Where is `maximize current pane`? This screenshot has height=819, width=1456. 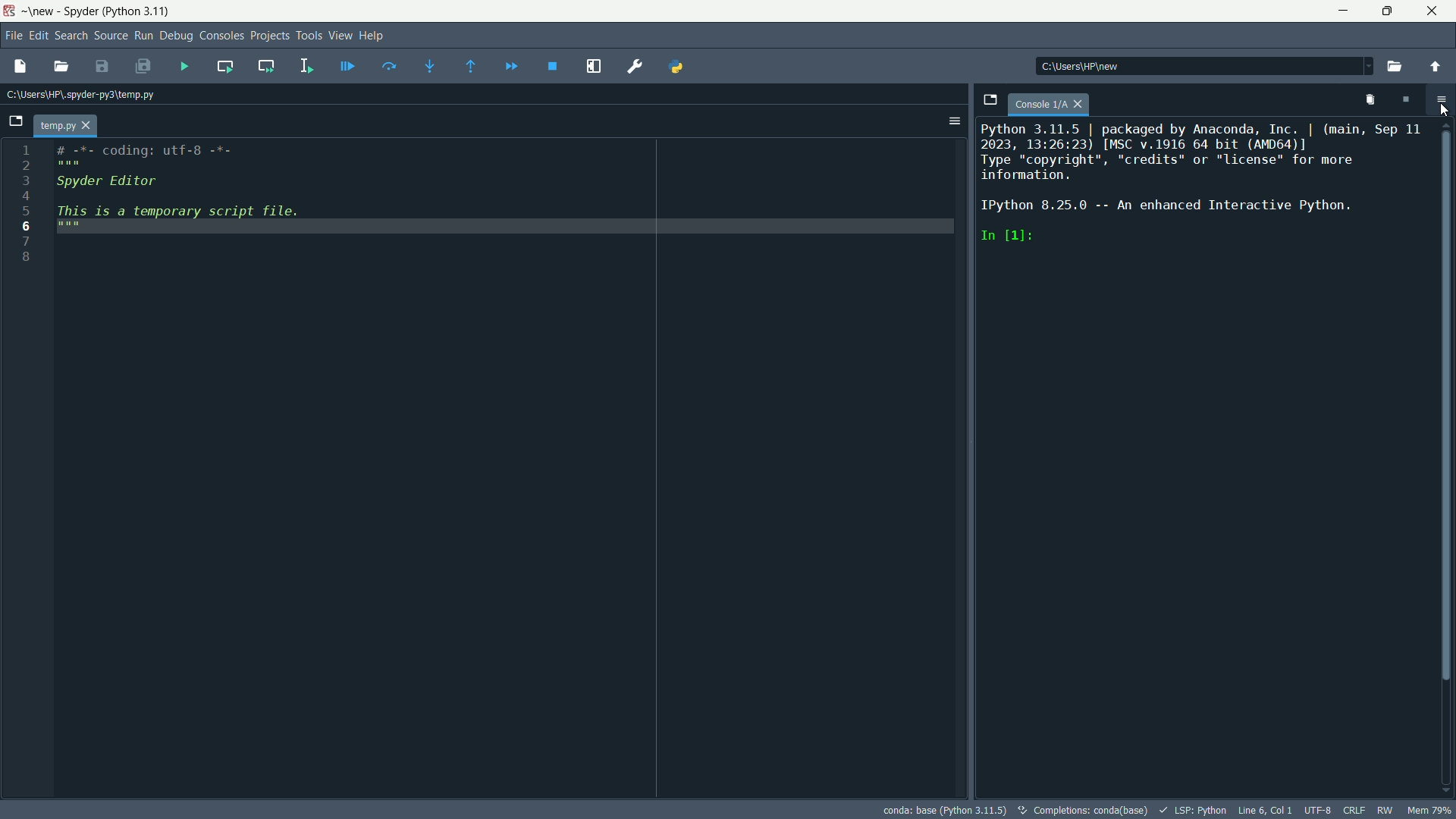 maximize current pane is located at coordinates (593, 65).